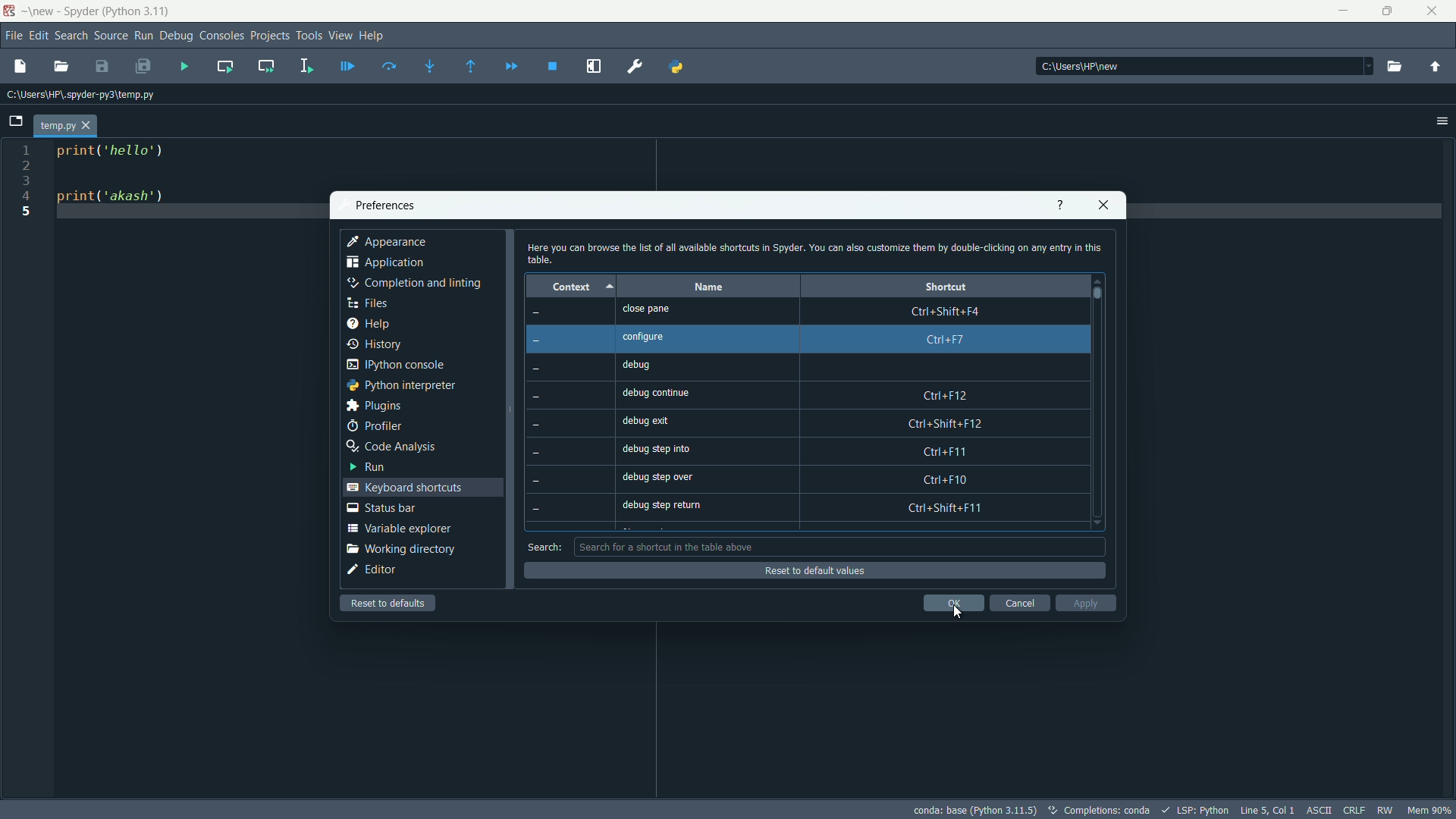 The image size is (1456, 819). Describe the element at coordinates (568, 288) in the screenshot. I see `context` at that location.